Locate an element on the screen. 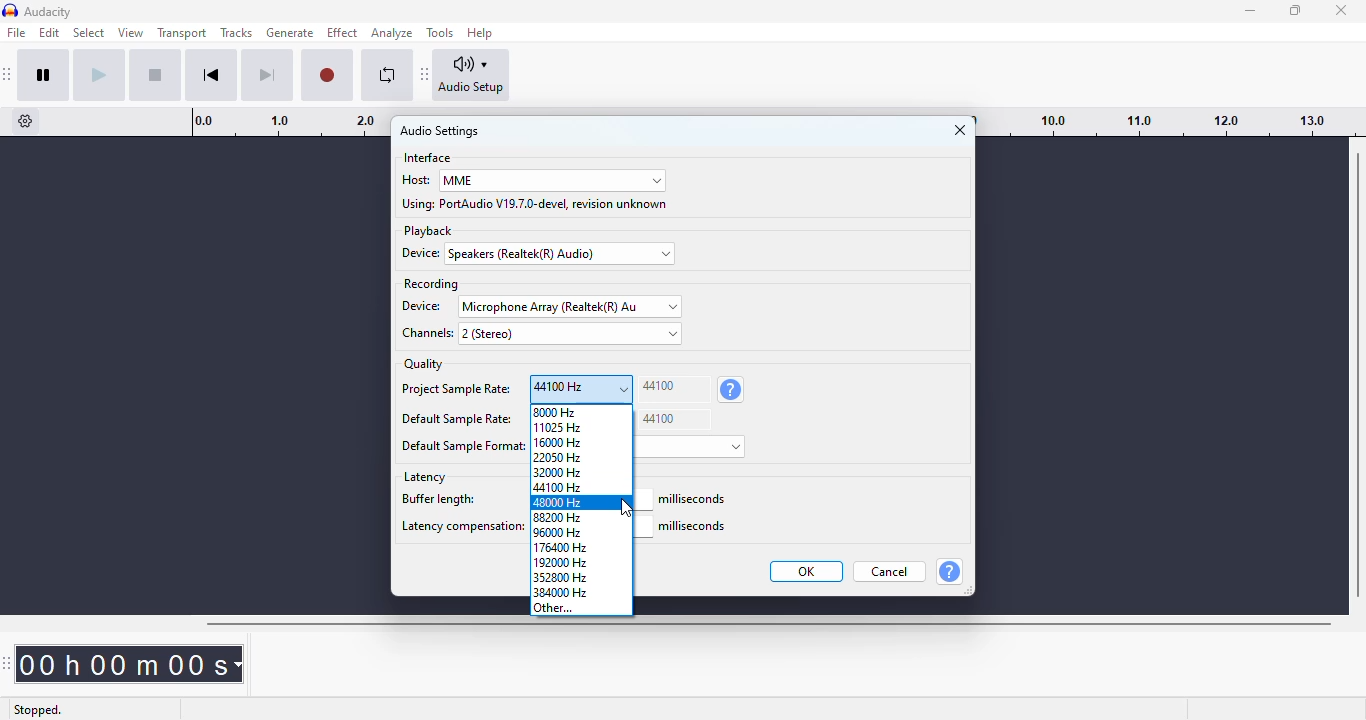 The height and width of the screenshot is (720, 1366). audacity audio setup toolbar is located at coordinates (425, 73).